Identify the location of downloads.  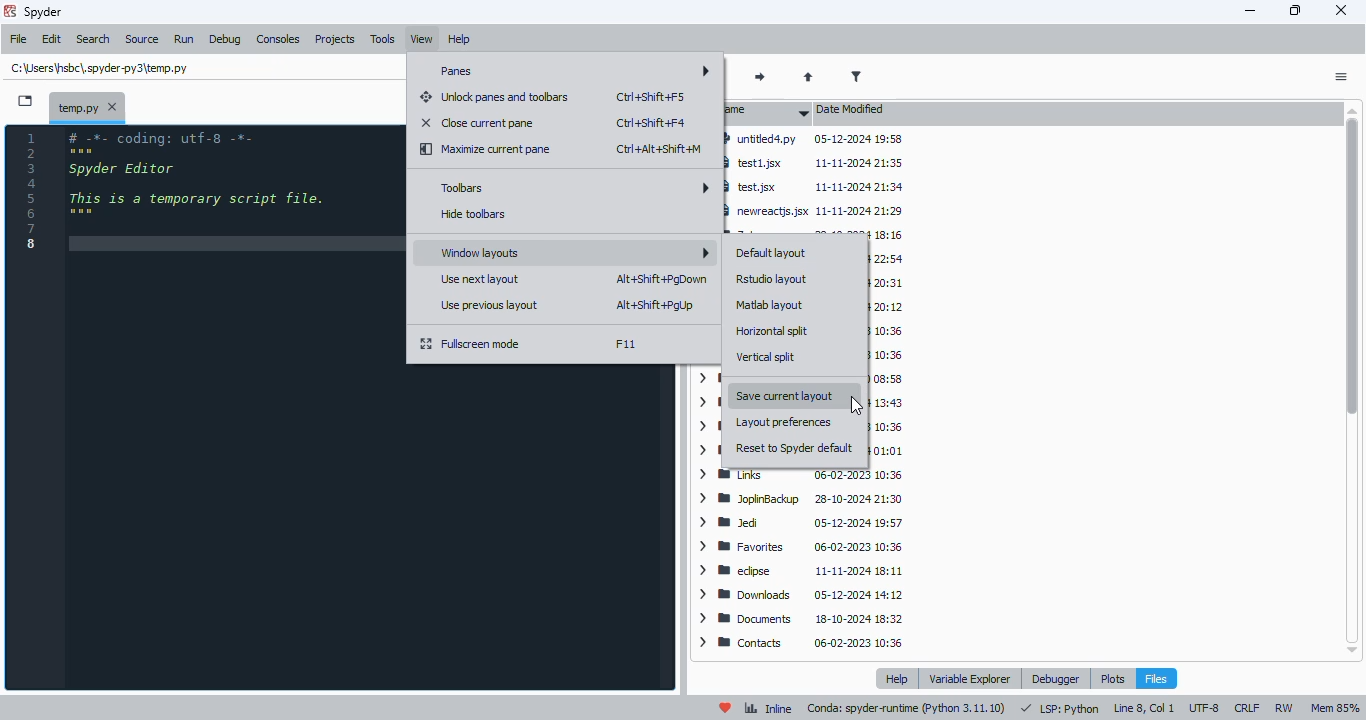
(802, 594).